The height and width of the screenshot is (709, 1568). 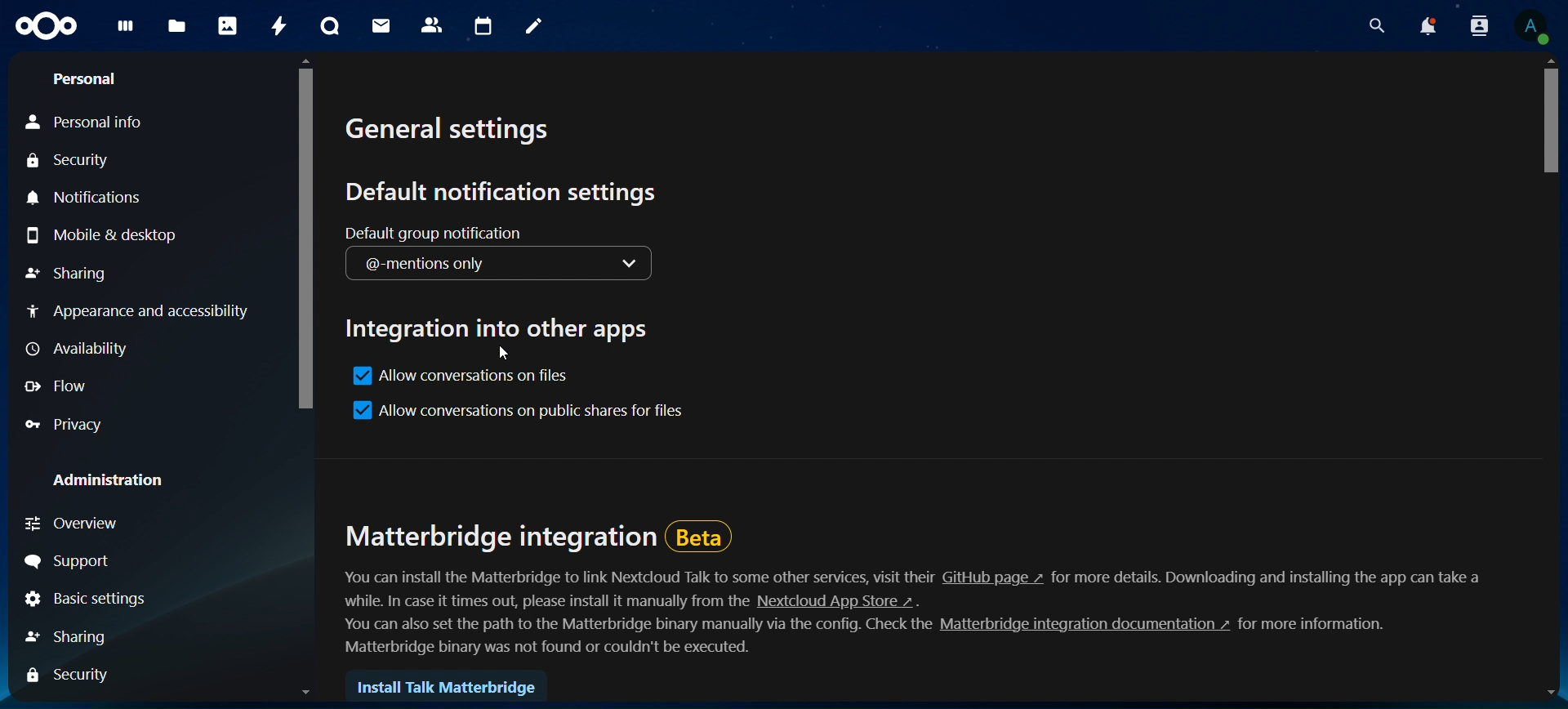 What do you see at coordinates (1553, 378) in the screenshot?
I see `scroll bar` at bounding box center [1553, 378].